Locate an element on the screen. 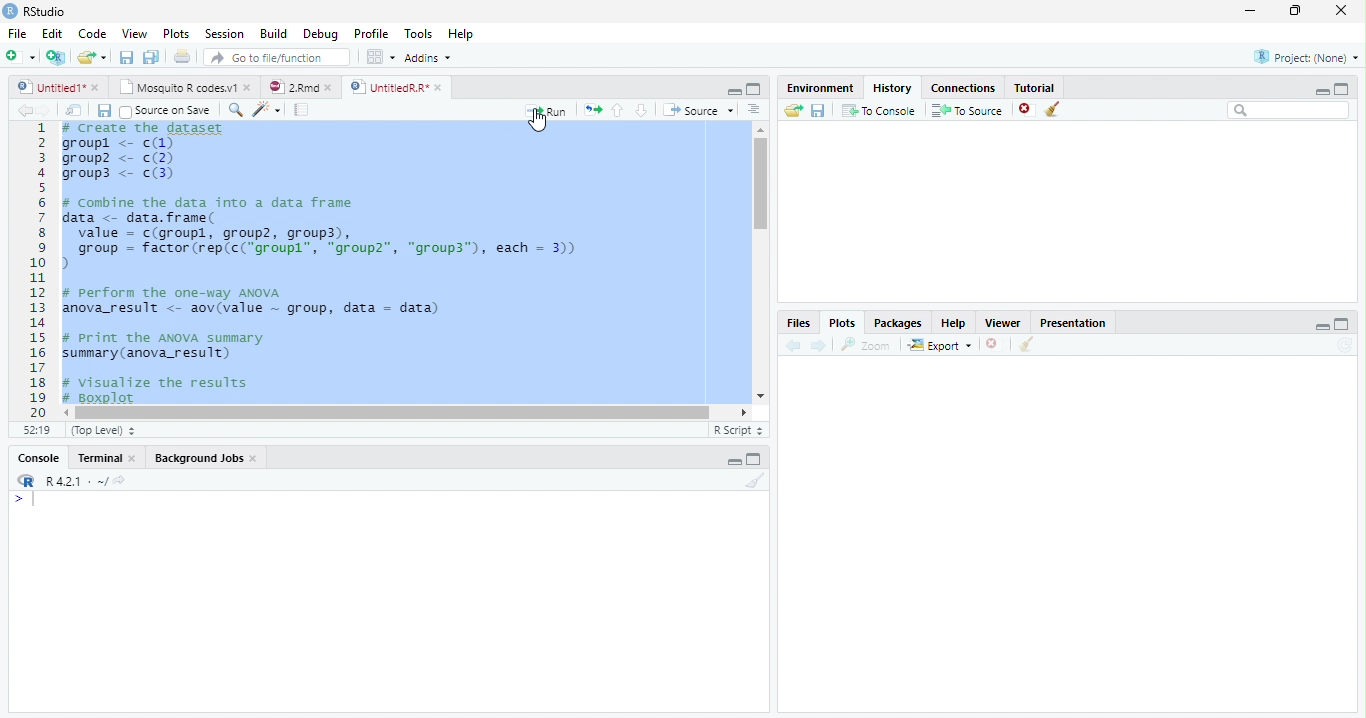 The width and height of the screenshot is (1366, 718). Magic code is located at coordinates (267, 111).